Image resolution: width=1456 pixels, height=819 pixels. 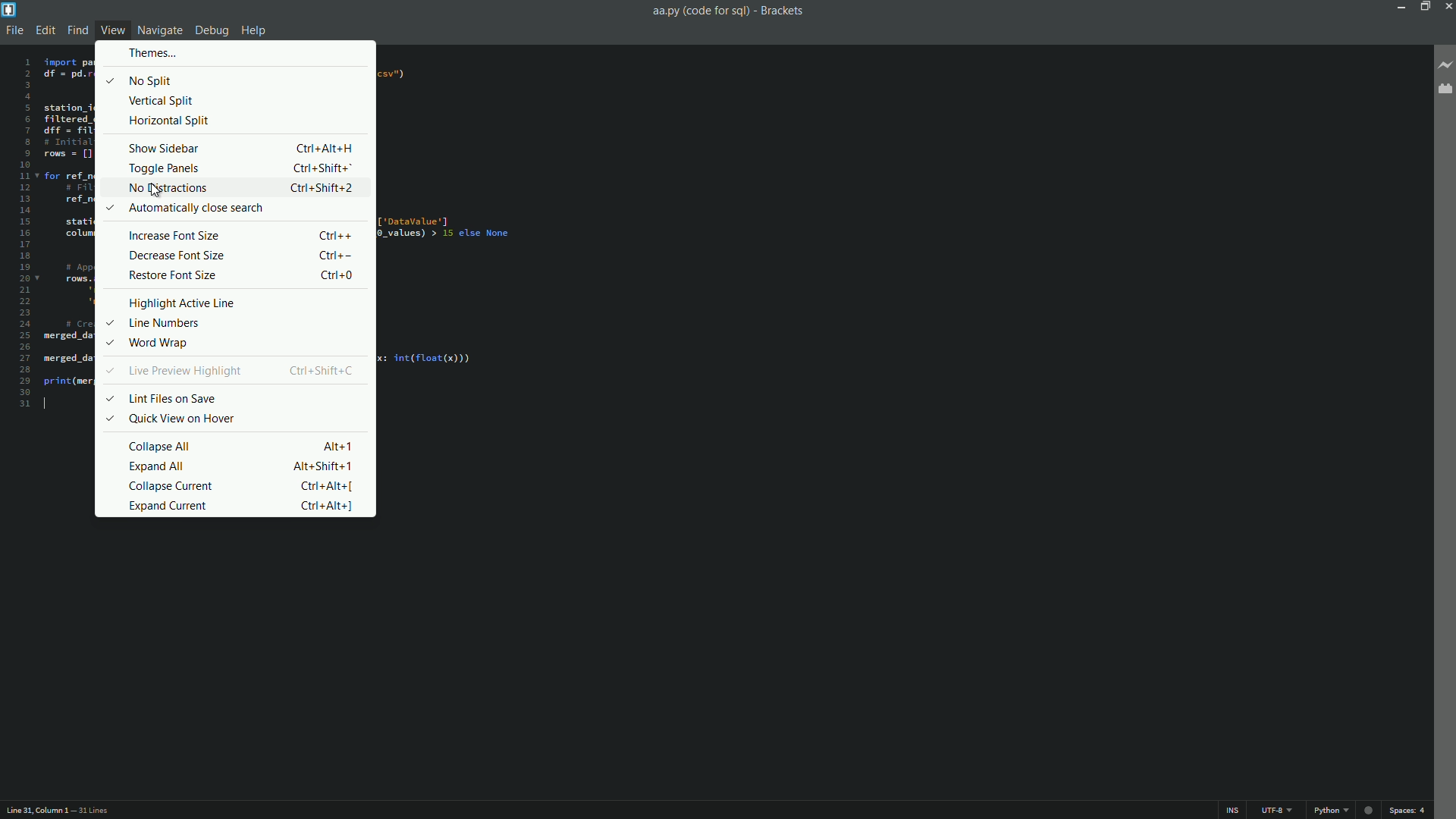 I want to click on word wrap, so click(x=243, y=342).